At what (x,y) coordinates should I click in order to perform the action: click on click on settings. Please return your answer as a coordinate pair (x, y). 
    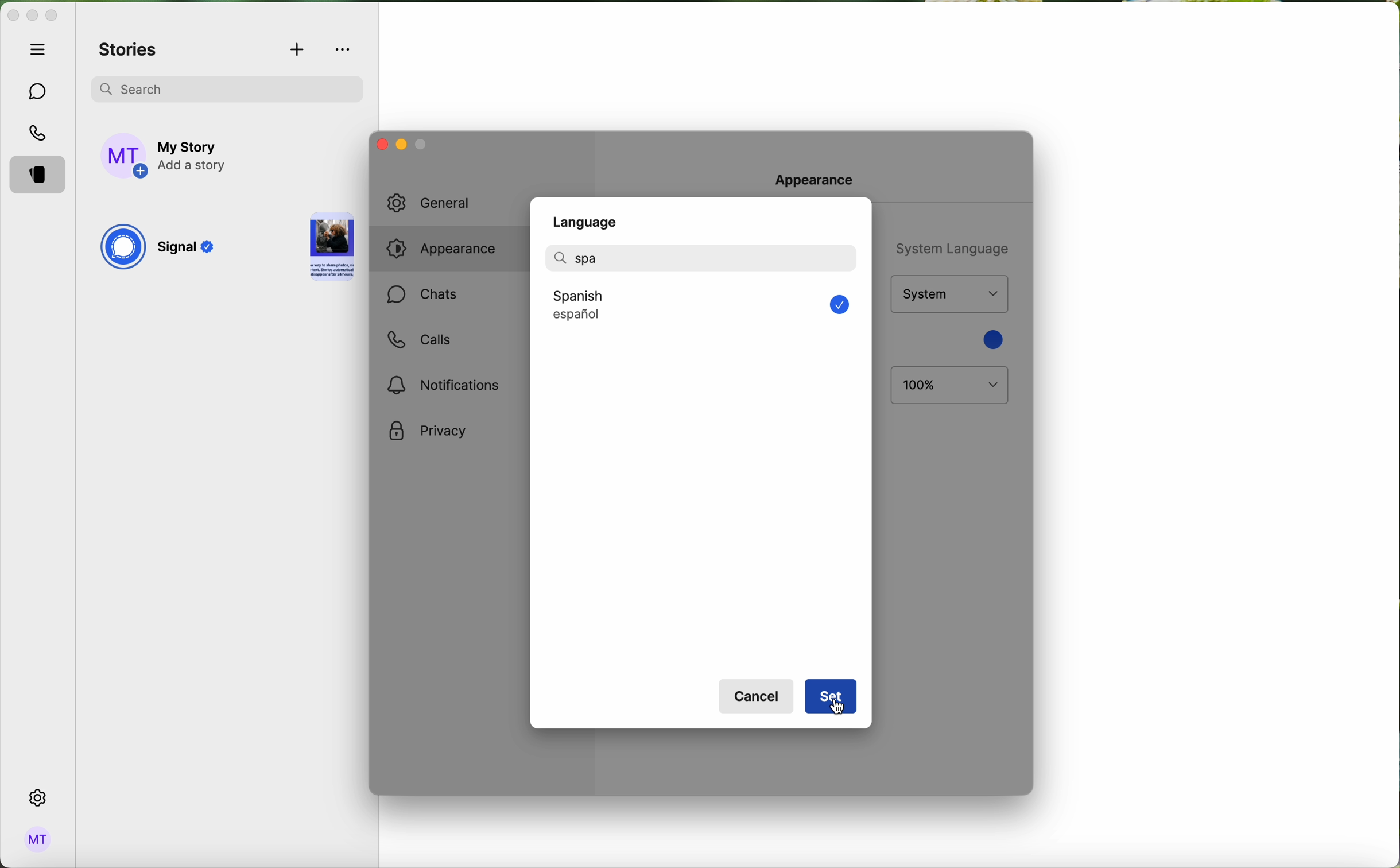
    Looking at the image, I should click on (38, 799).